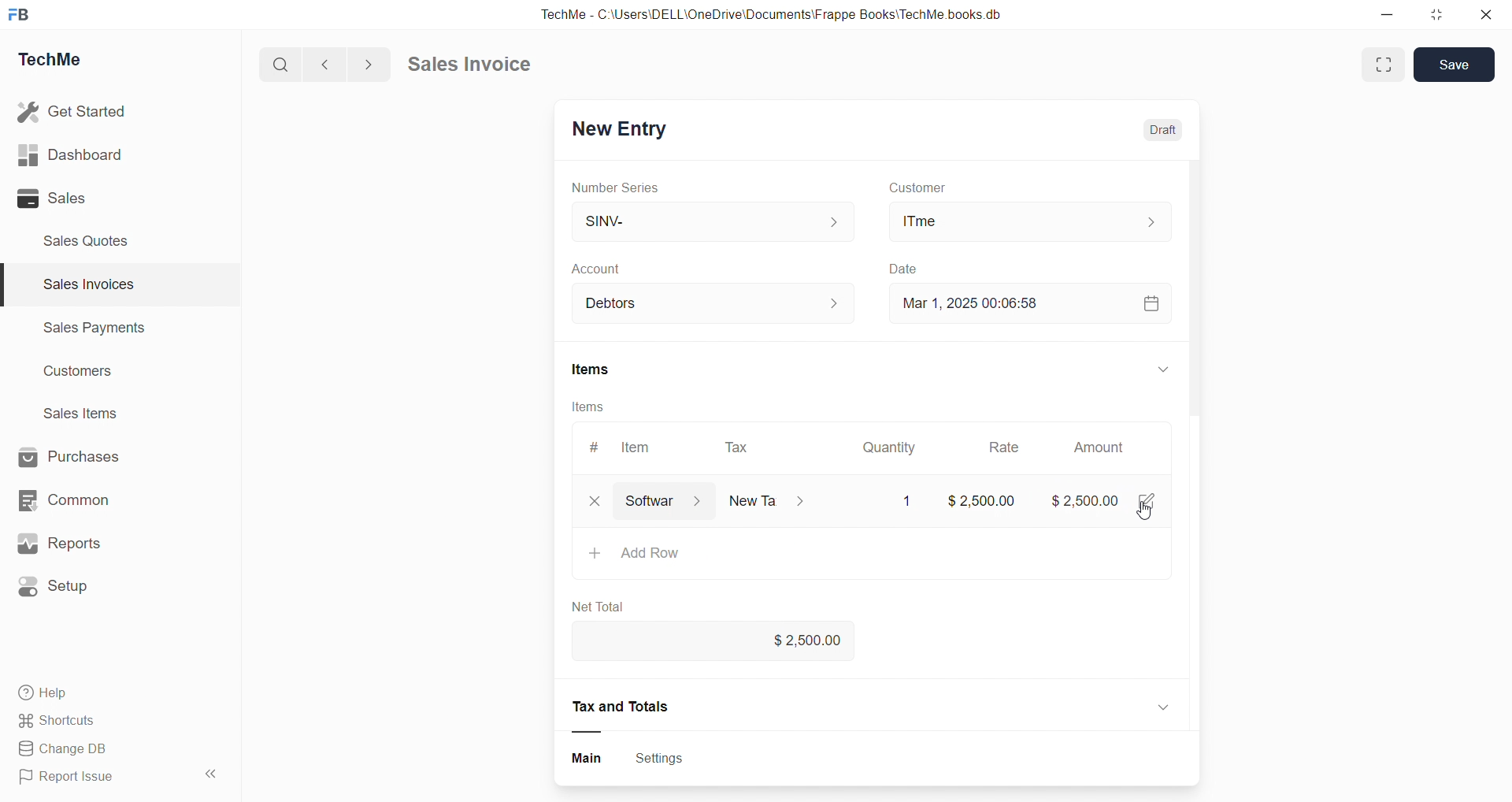 The height and width of the screenshot is (802, 1512). I want to click on Maximize, so click(1443, 13).